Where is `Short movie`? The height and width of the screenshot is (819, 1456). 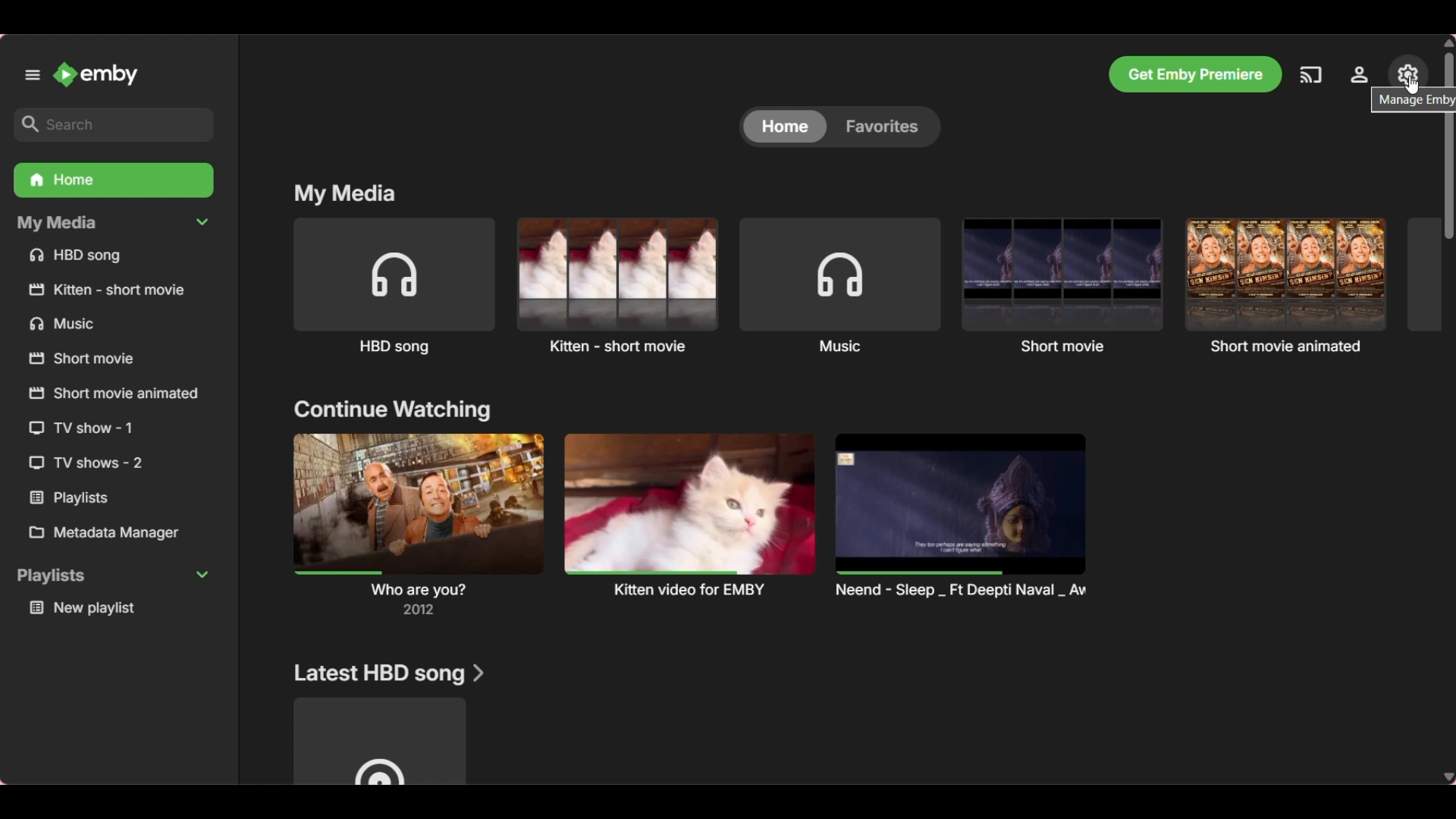
Short movie is located at coordinates (1285, 286).